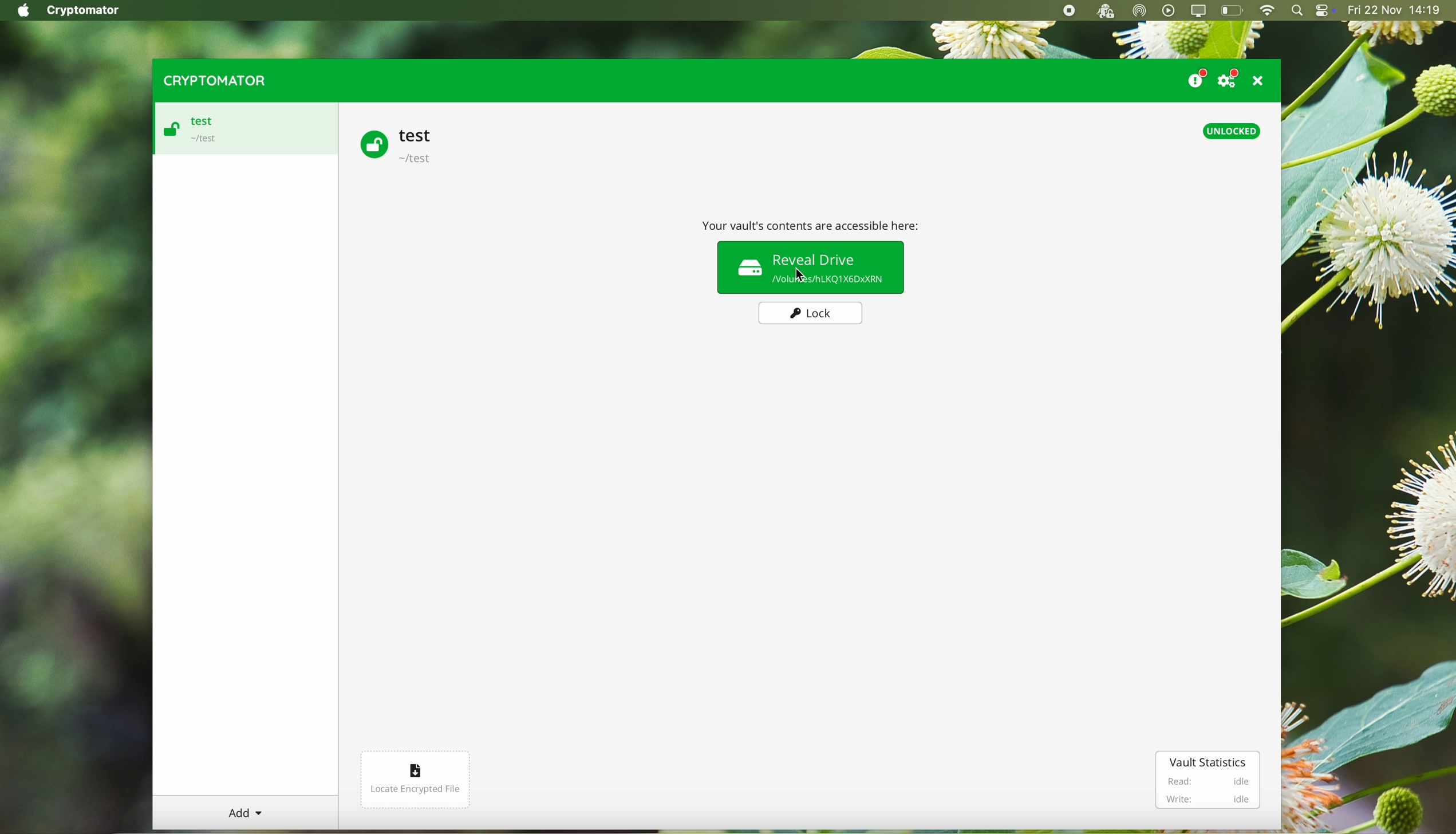  Describe the element at coordinates (1233, 11) in the screenshot. I see `battery` at that location.